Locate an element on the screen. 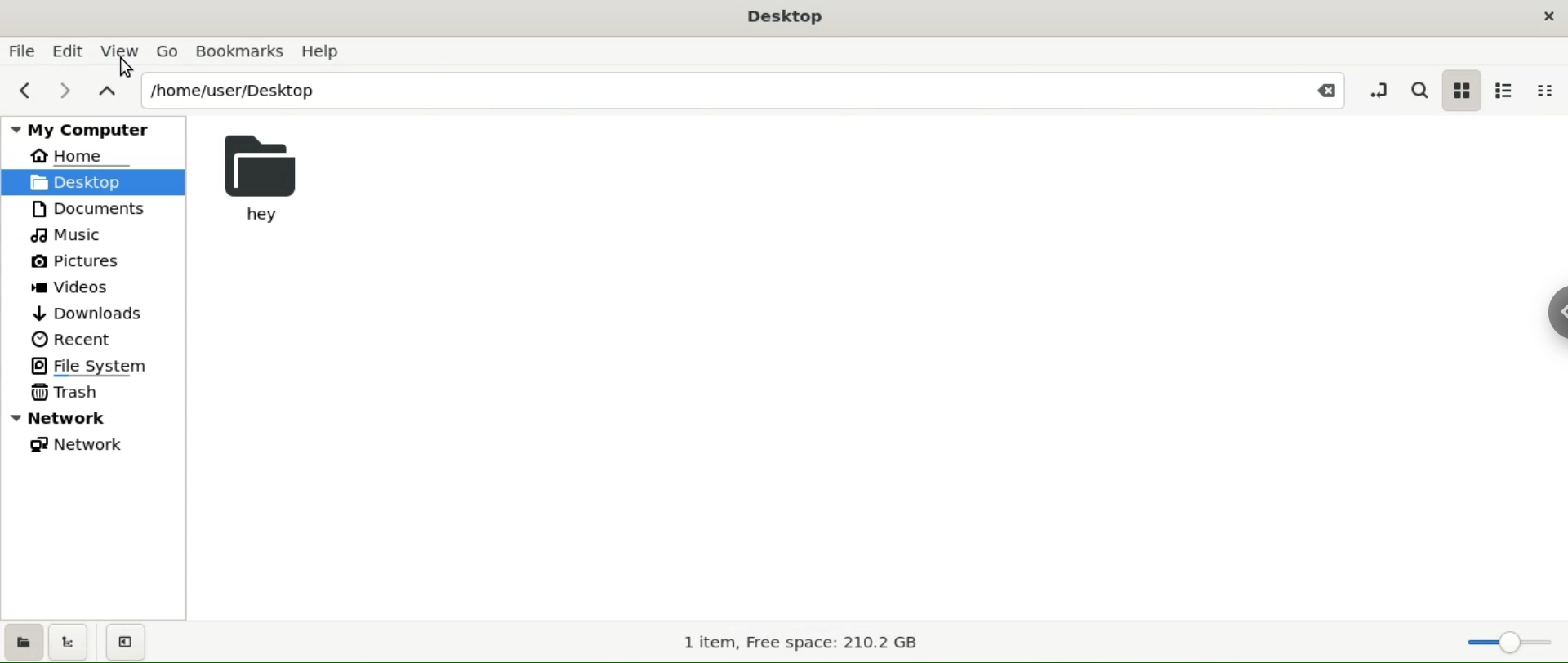 Image resolution: width=1568 pixels, height=663 pixels. my computer is located at coordinates (87, 128).